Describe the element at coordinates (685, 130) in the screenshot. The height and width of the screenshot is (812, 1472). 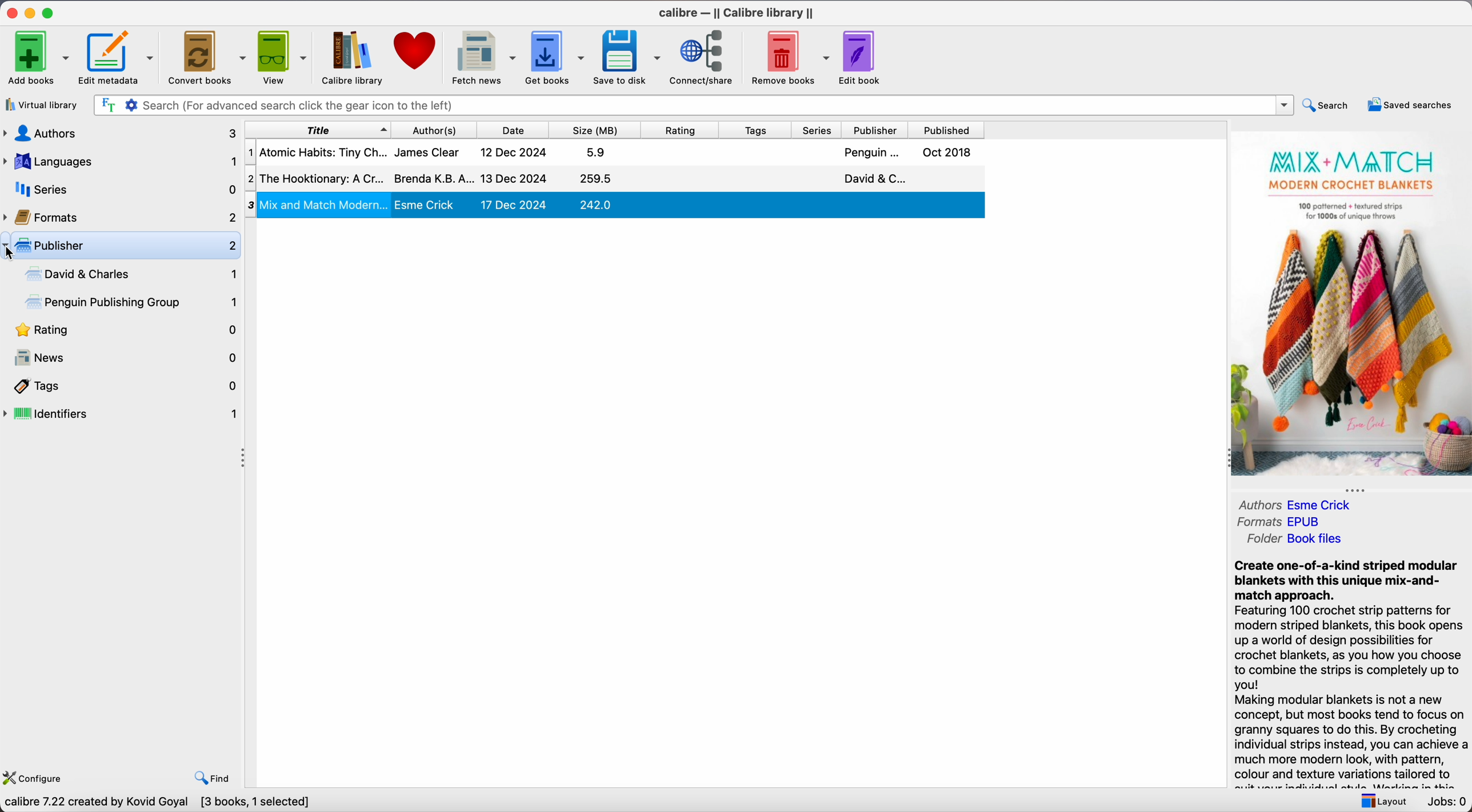
I see `rating` at that location.